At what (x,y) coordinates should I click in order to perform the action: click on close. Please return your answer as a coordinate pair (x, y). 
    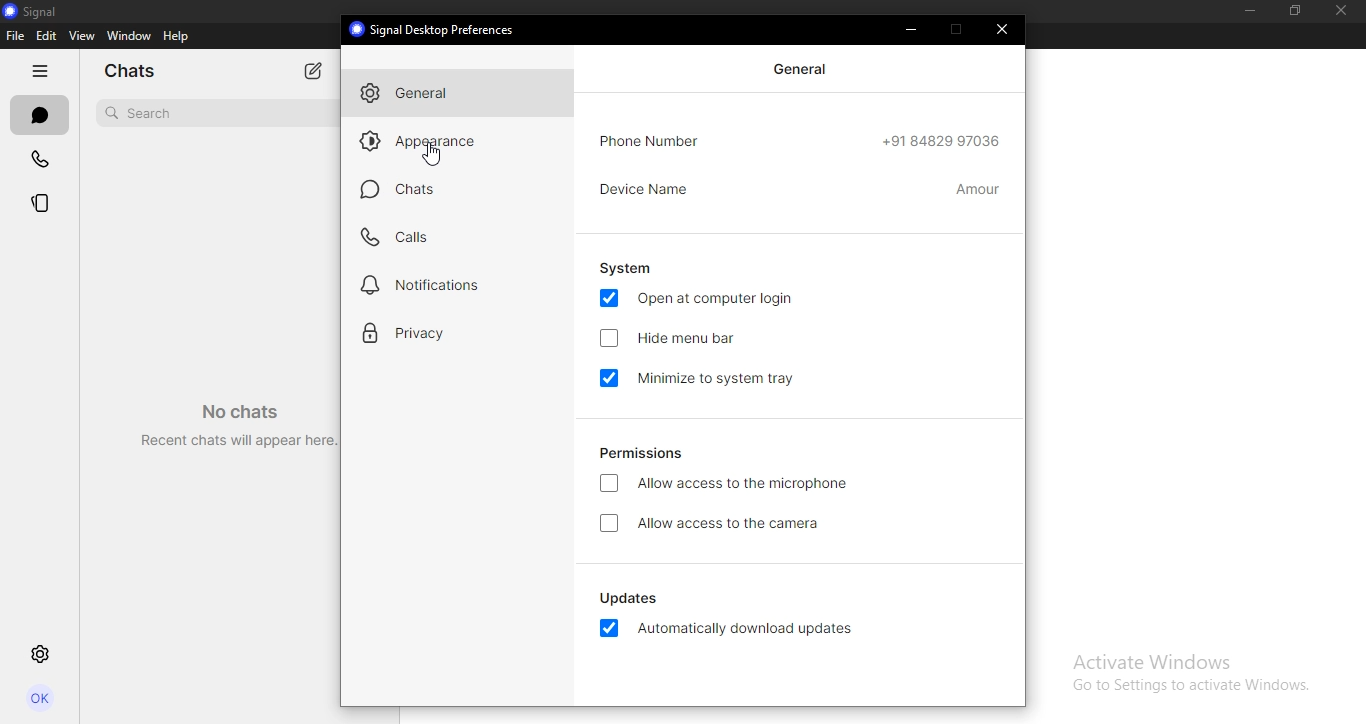
    Looking at the image, I should click on (1346, 12).